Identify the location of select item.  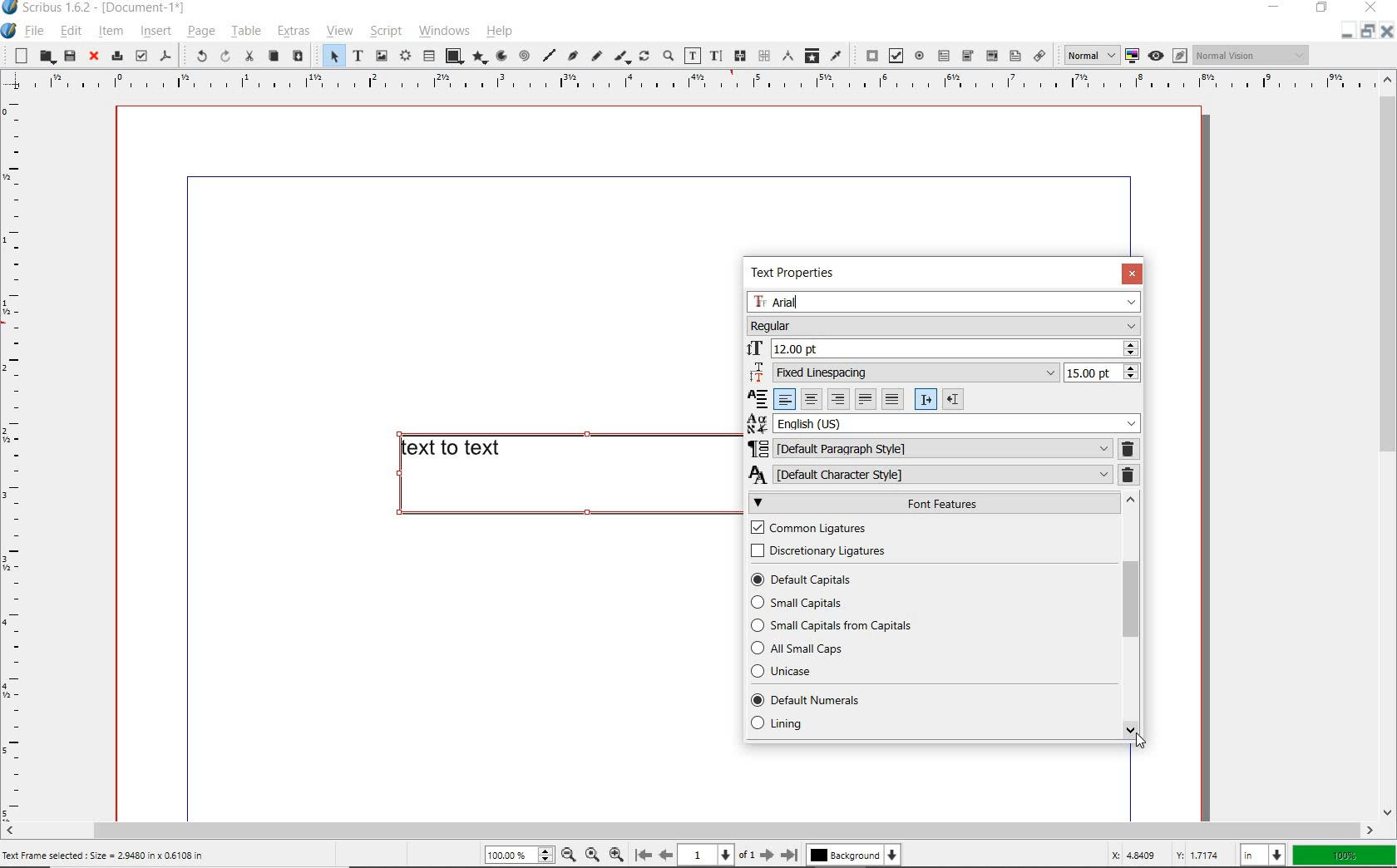
(331, 57).